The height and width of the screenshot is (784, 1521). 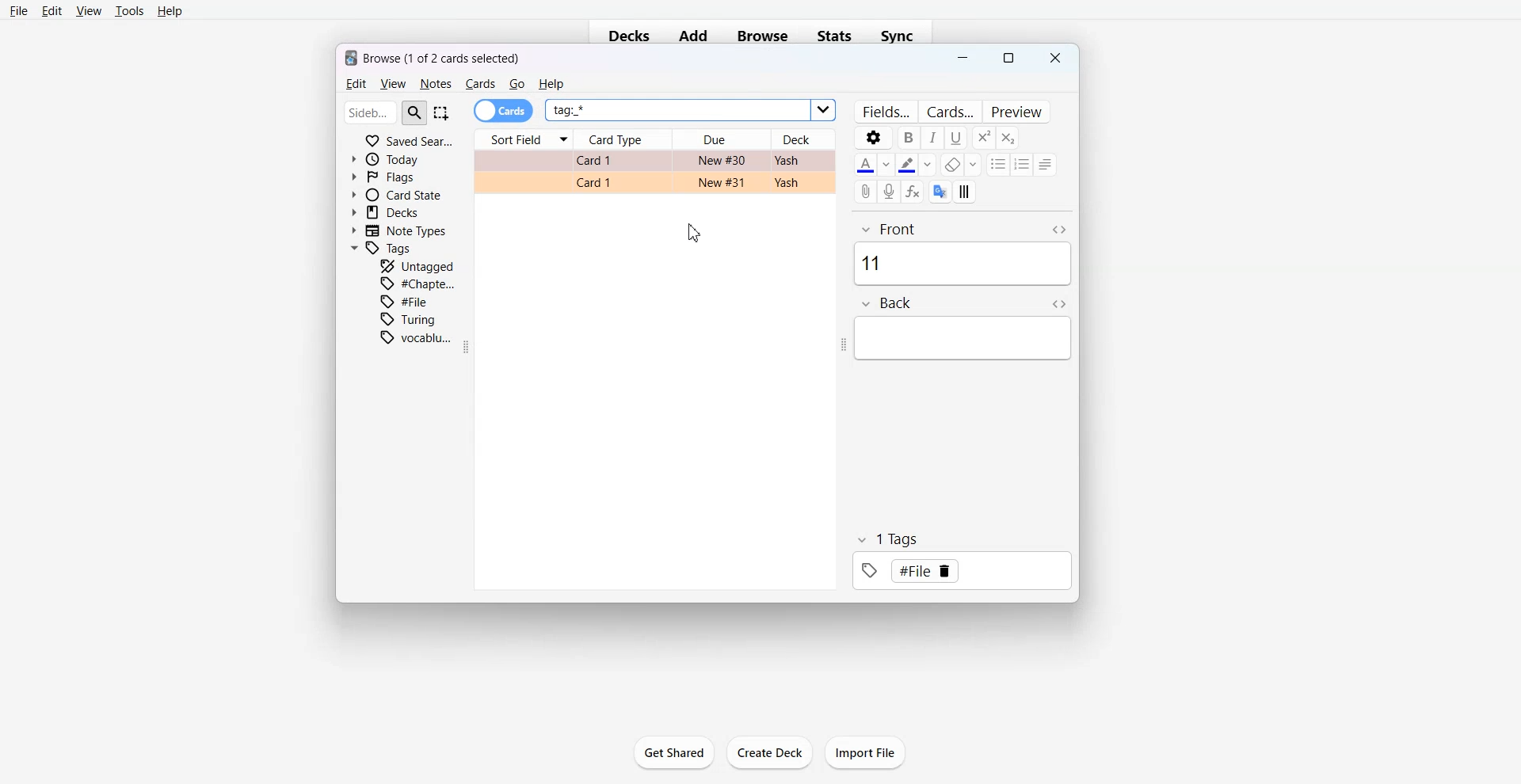 What do you see at coordinates (770, 753) in the screenshot?
I see `Create Deck` at bounding box center [770, 753].